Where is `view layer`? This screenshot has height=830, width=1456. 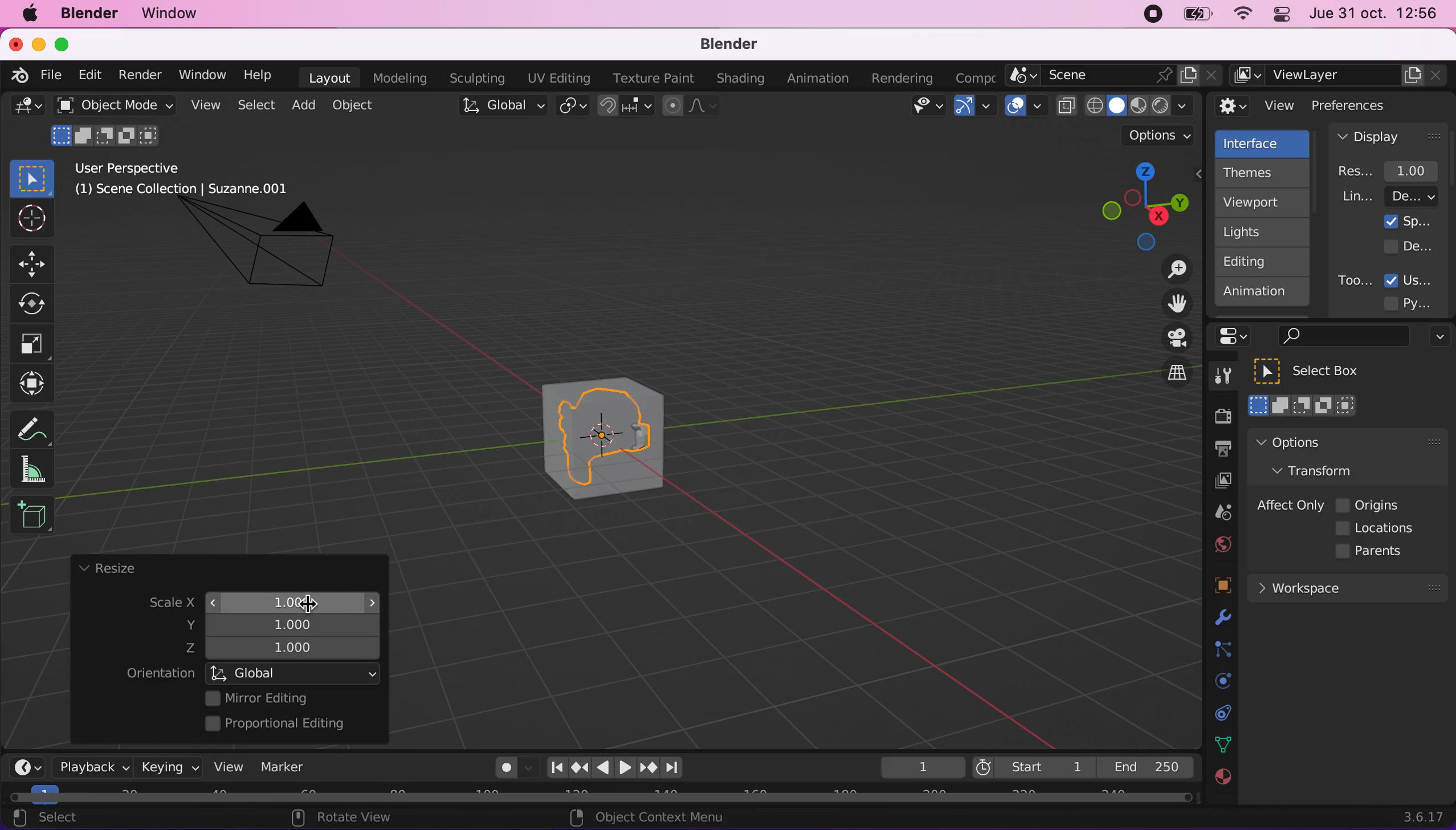 view layer is located at coordinates (1217, 482).